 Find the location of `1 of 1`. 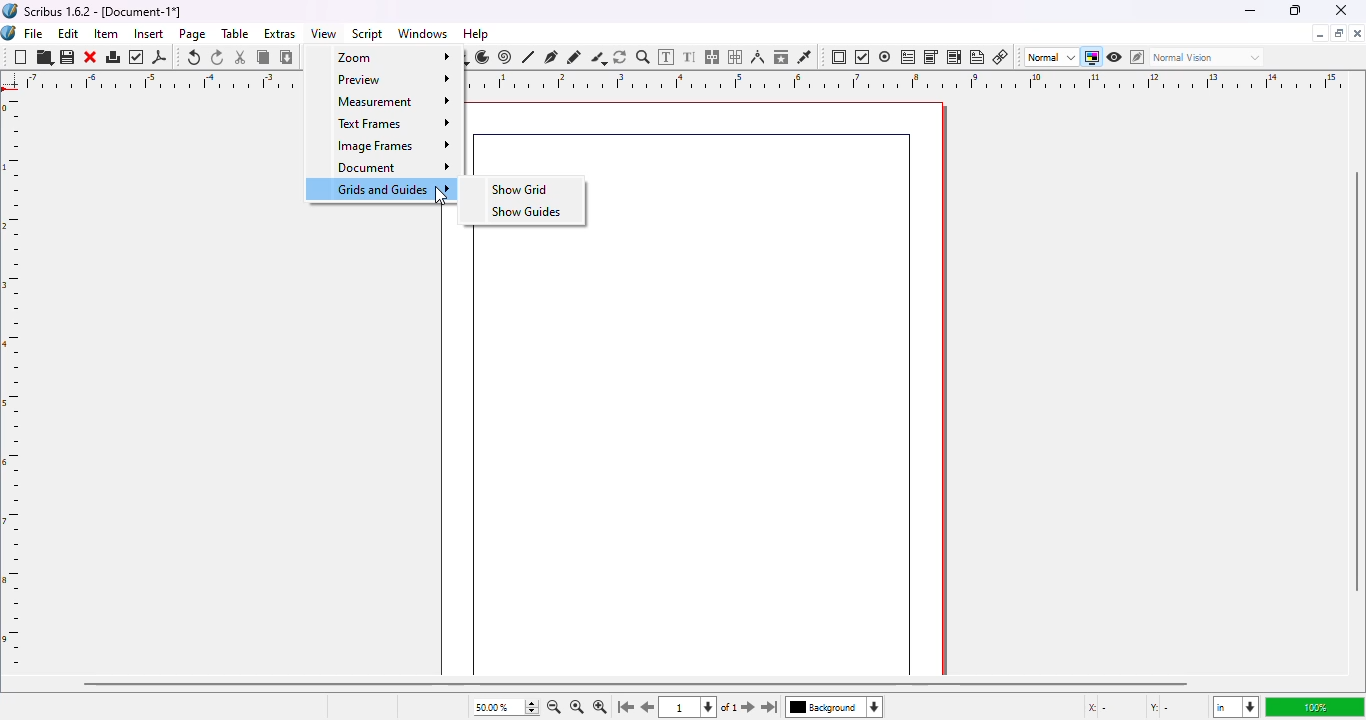

1 of 1 is located at coordinates (704, 708).